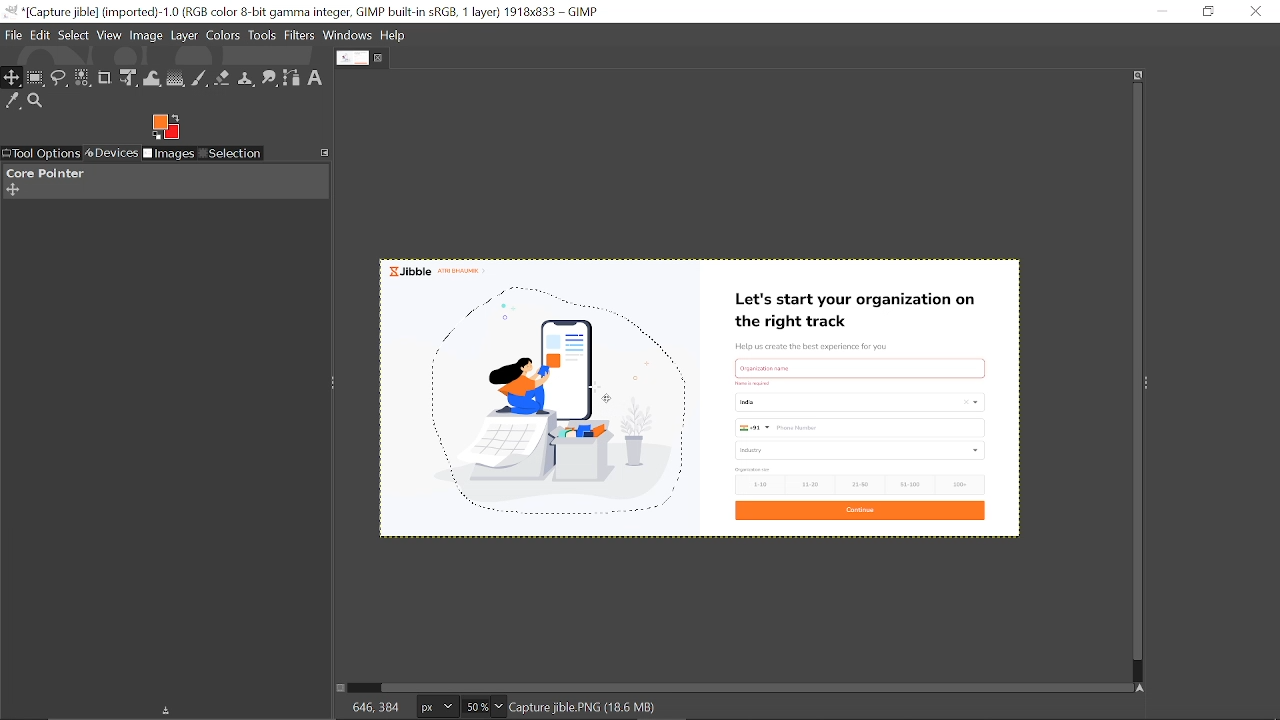 Image resolution: width=1280 pixels, height=720 pixels. What do you see at coordinates (858, 512) in the screenshot?
I see `Continue` at bounding box center [858, 512].